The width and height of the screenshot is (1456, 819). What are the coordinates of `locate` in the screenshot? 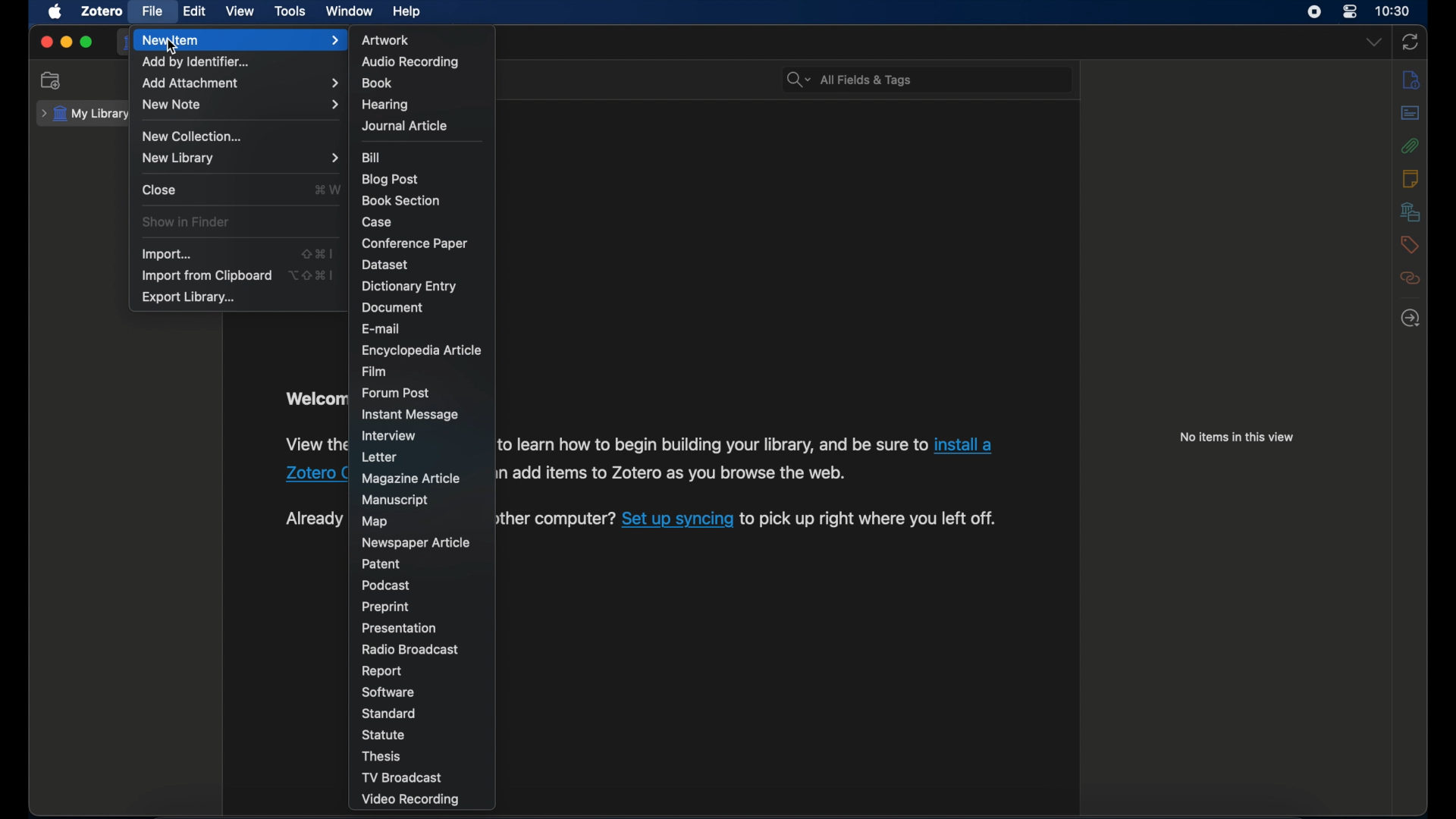 It's located at (1411, 319).